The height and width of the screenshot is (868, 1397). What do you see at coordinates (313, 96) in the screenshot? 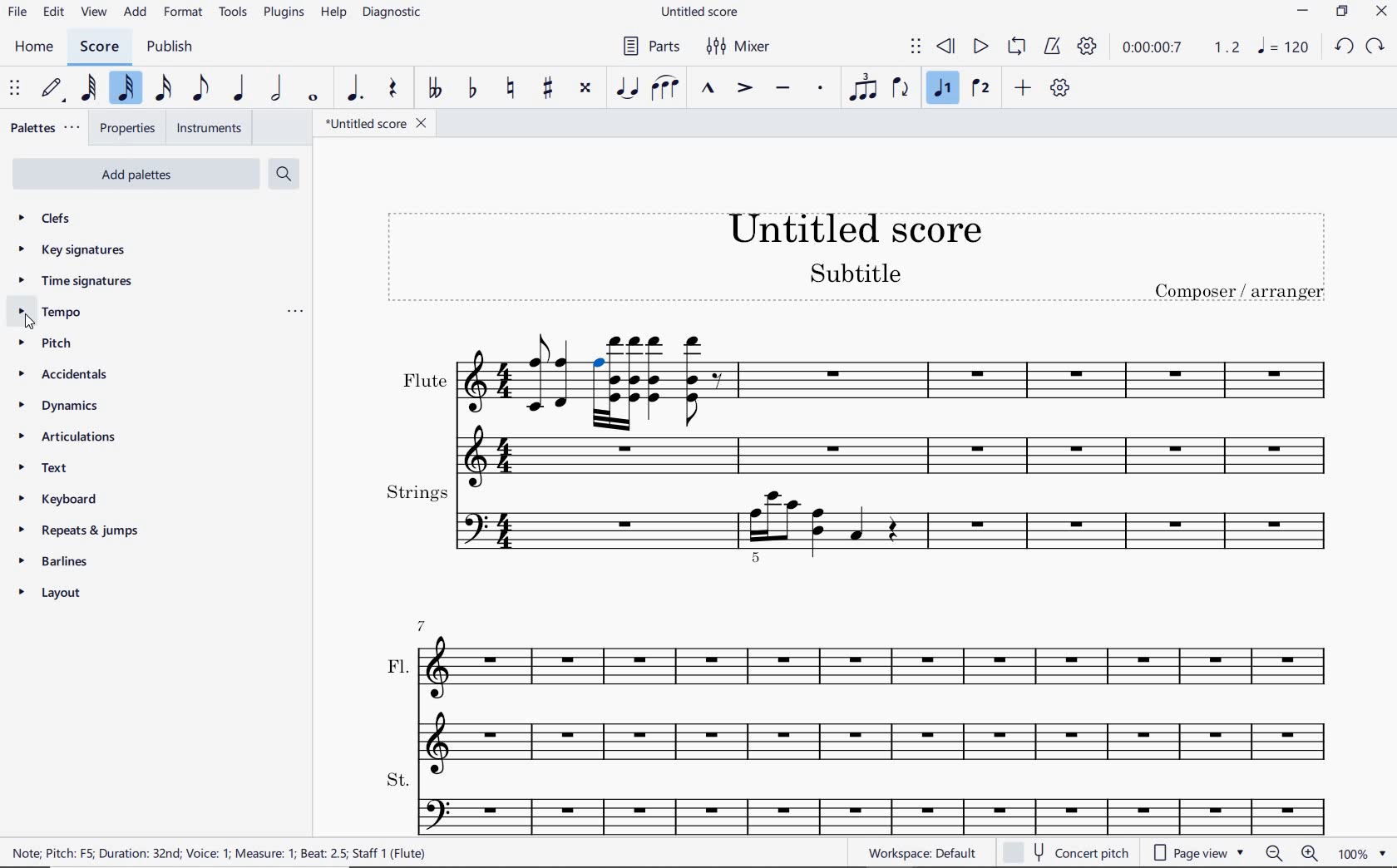
I see `WHOLE NOTE` at bounding box center [313, 96].